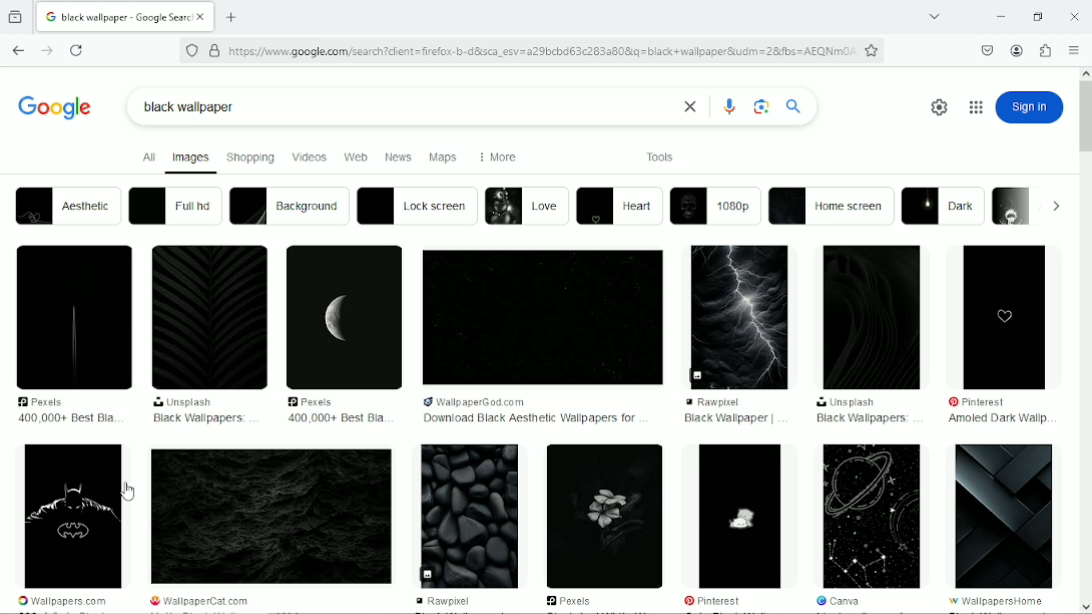 The height and width of the screenshot is (614, 1092). I want to click on black image, so click(345, 317).